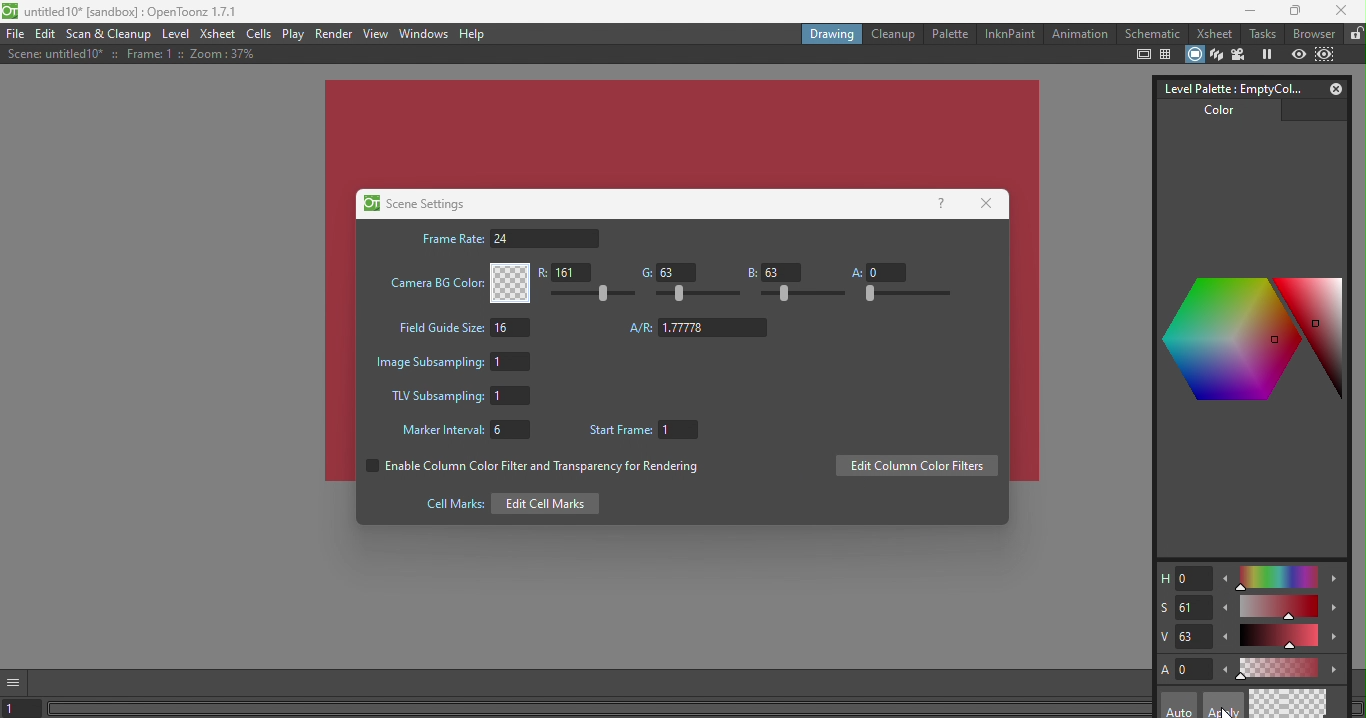  What do you see at coordinates (1247, 336) in the screenshot?
I see `Color palettes` at bounding box center [1247, 336].